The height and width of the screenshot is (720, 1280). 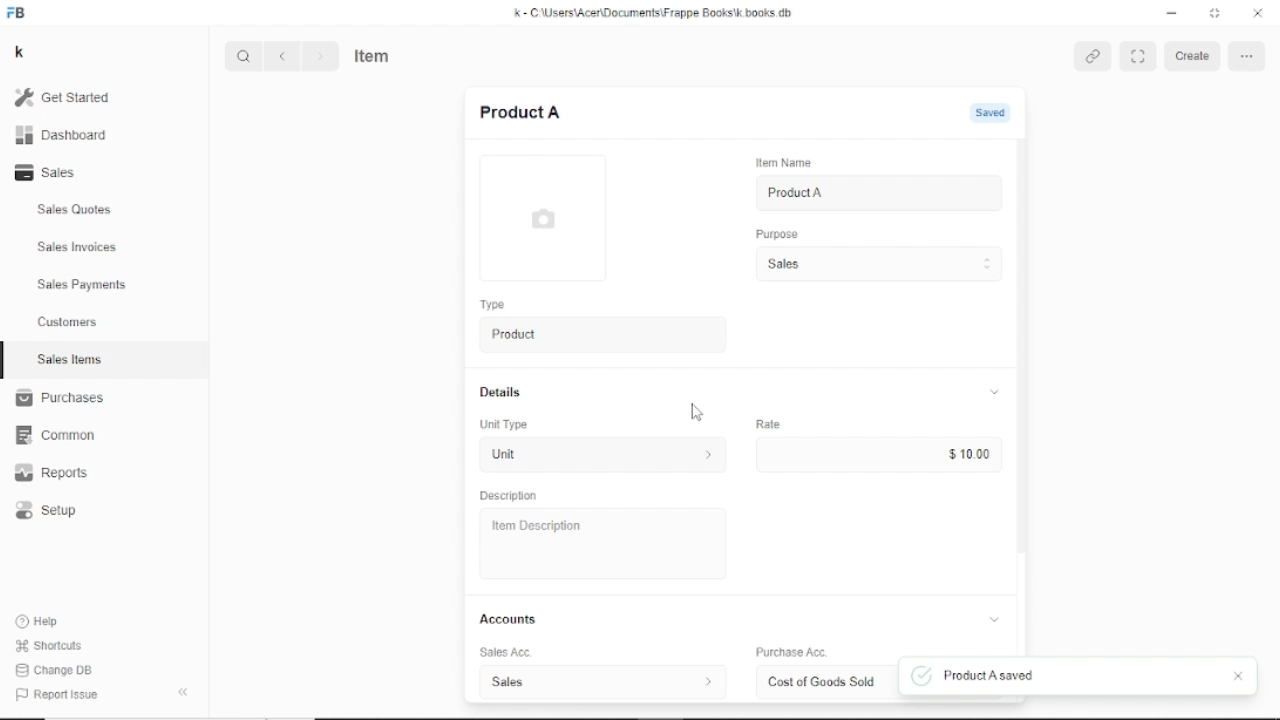 What do you see at coordinates (18, 14) in the screenshot?
I see `FB` at bounding box center [18, 14].